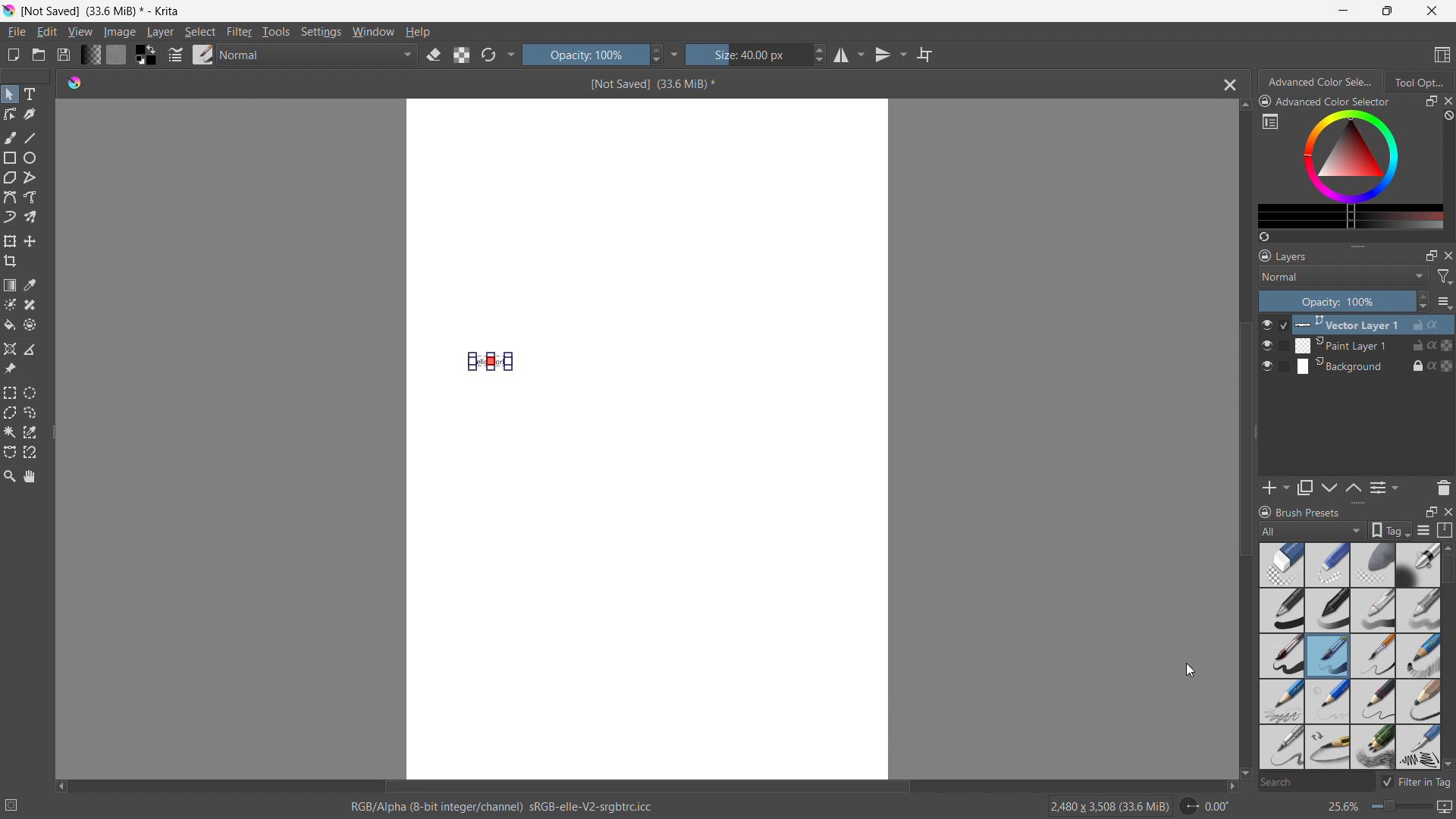 This screenshot has width=1456, height=819. I want to click on scroll up, so click(1244, 105).